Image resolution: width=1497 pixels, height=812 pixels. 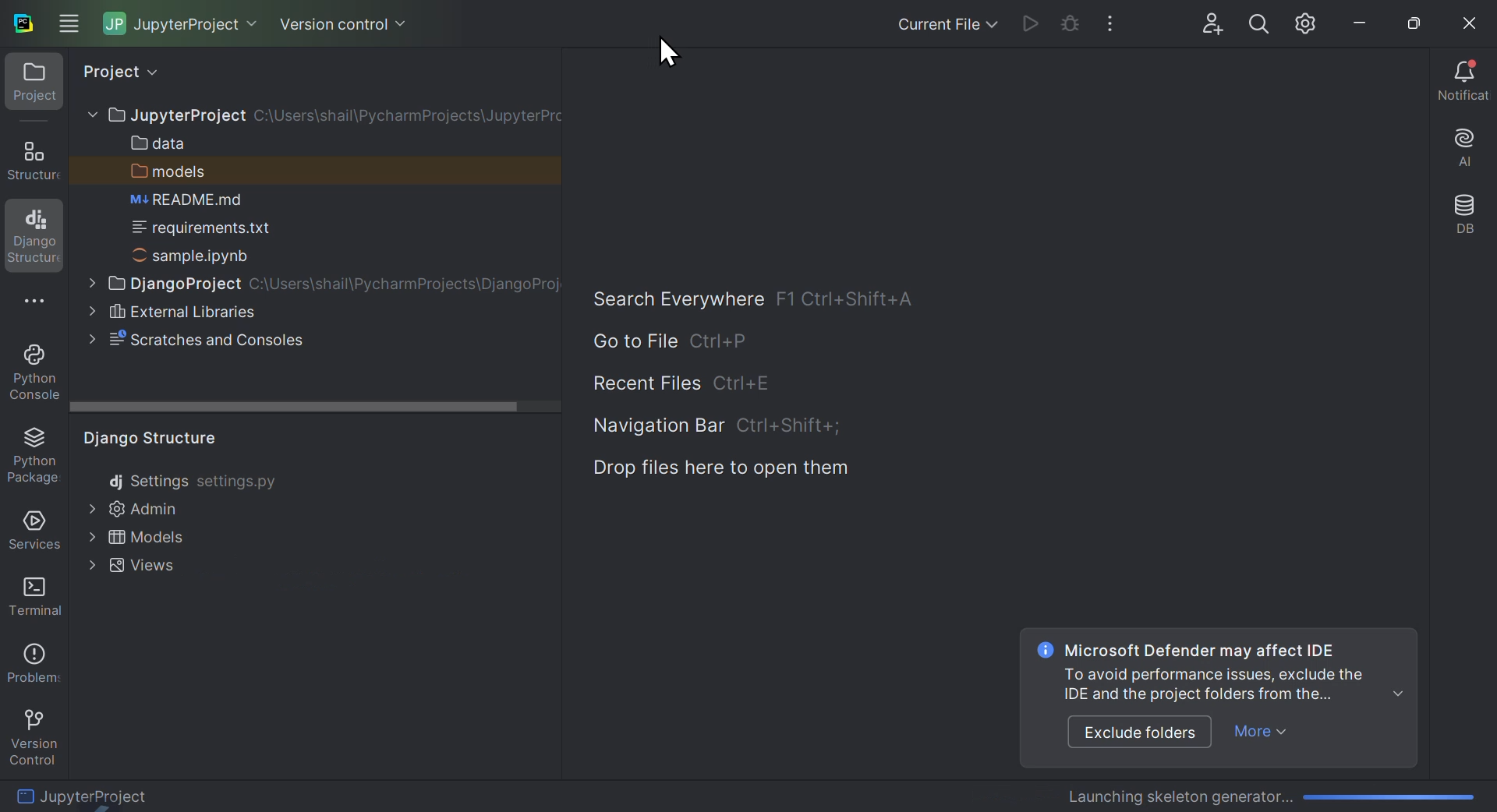 I want to click on Version control, so click(x=340, y=19).